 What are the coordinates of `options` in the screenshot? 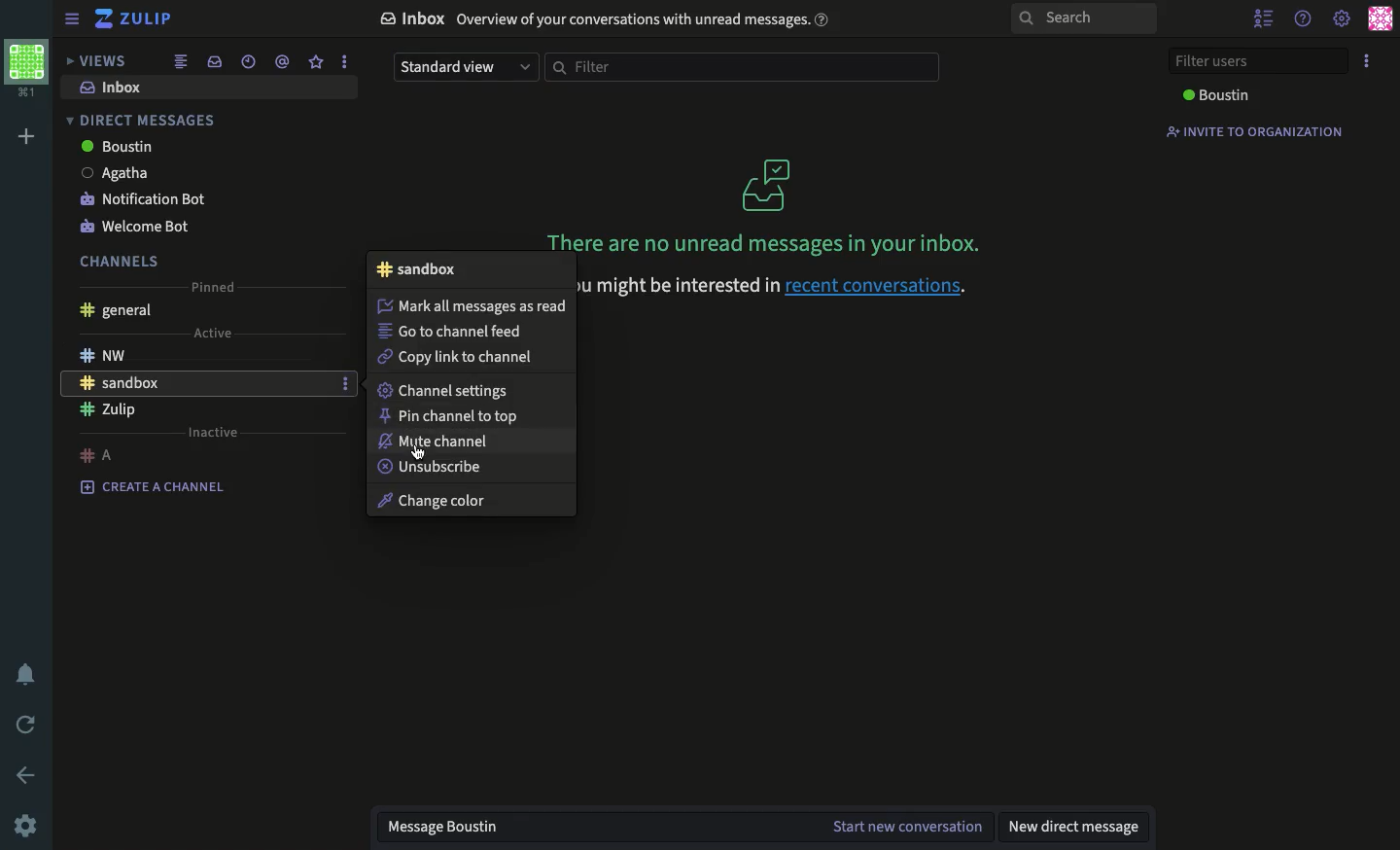 It's located at (1365, 61).